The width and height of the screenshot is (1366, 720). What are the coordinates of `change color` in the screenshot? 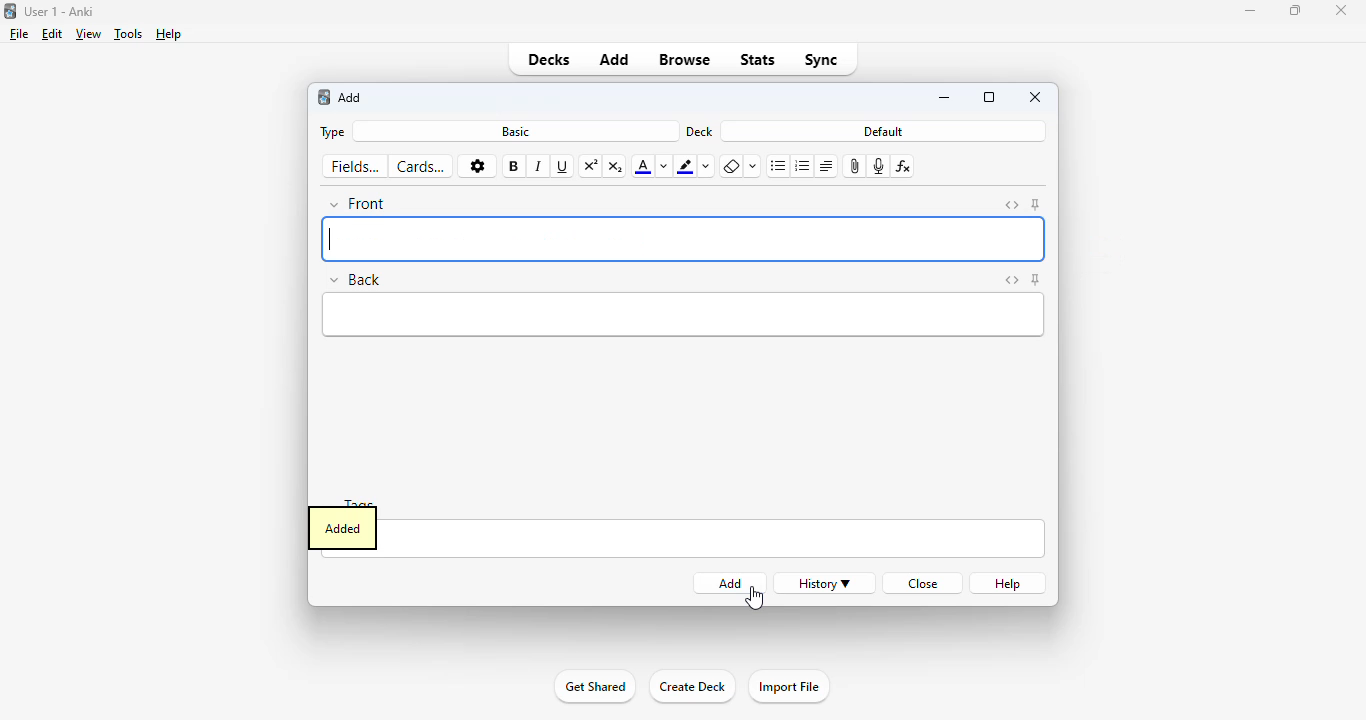 It's located at (707, 166).